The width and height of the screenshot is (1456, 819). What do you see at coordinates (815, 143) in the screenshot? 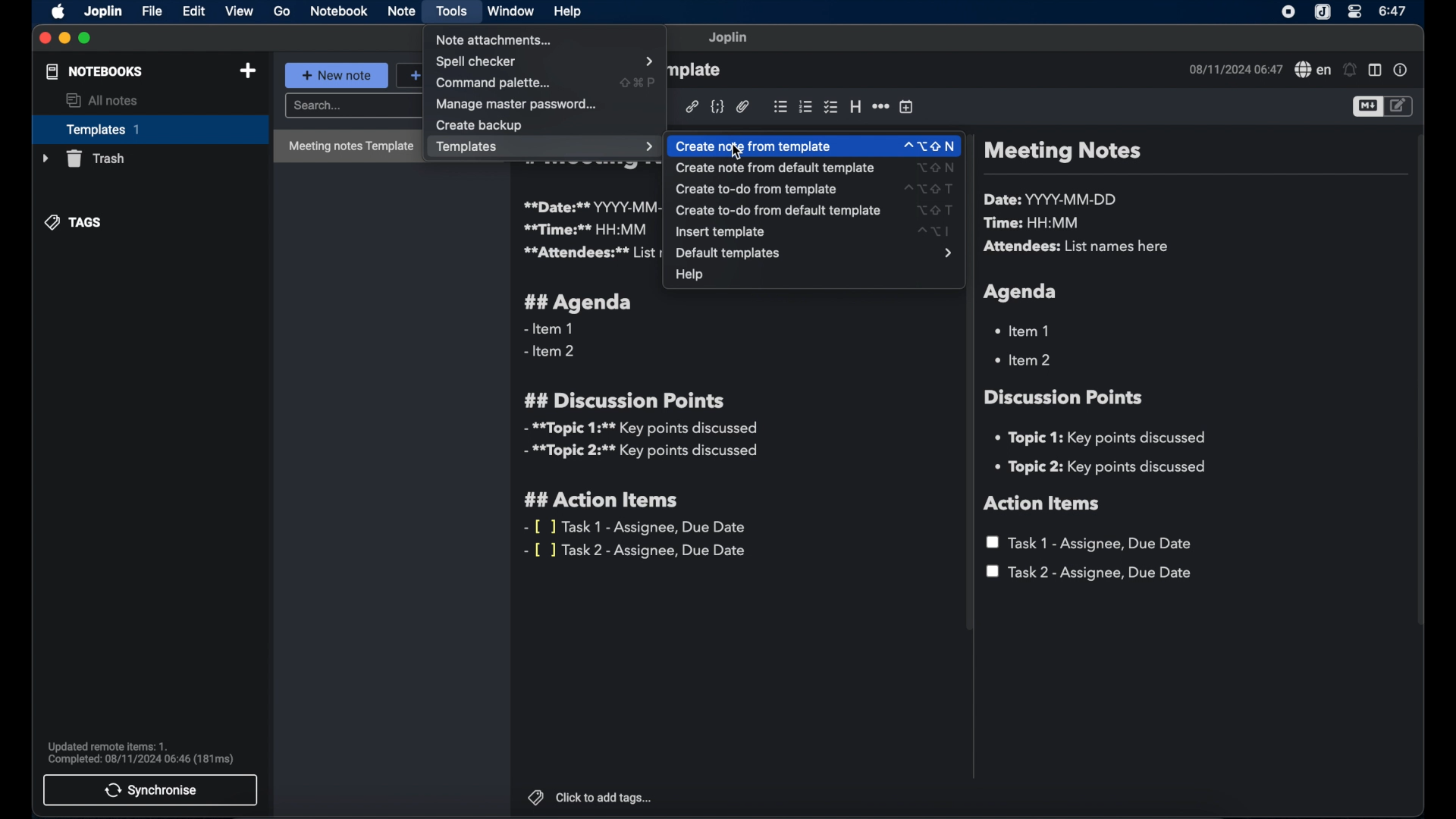
I see `create note from template` at bounding box center [815, 143].